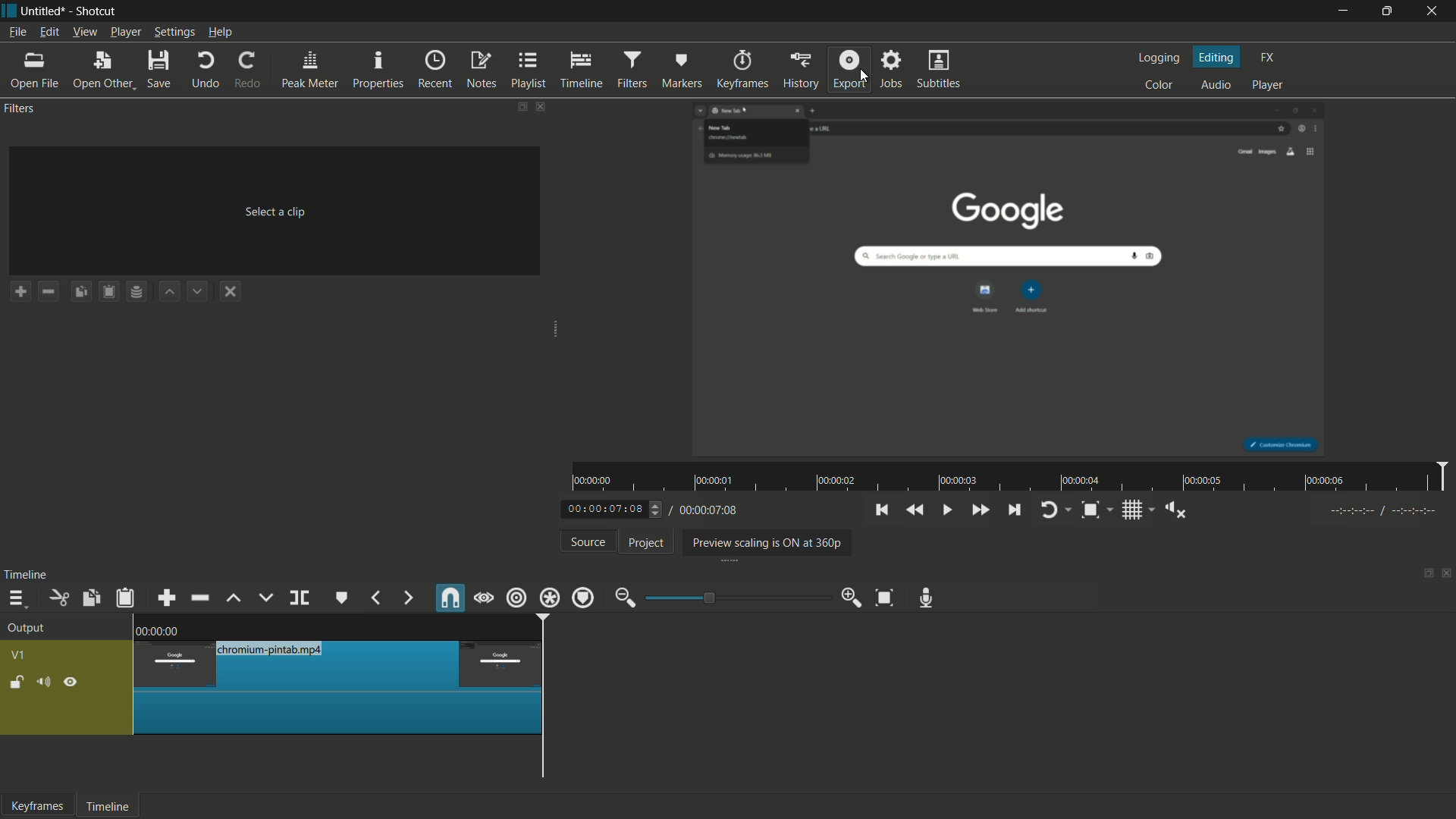 The height and width of the screenshot is (819, 1456). I want to click on markers, so click(680, 71).